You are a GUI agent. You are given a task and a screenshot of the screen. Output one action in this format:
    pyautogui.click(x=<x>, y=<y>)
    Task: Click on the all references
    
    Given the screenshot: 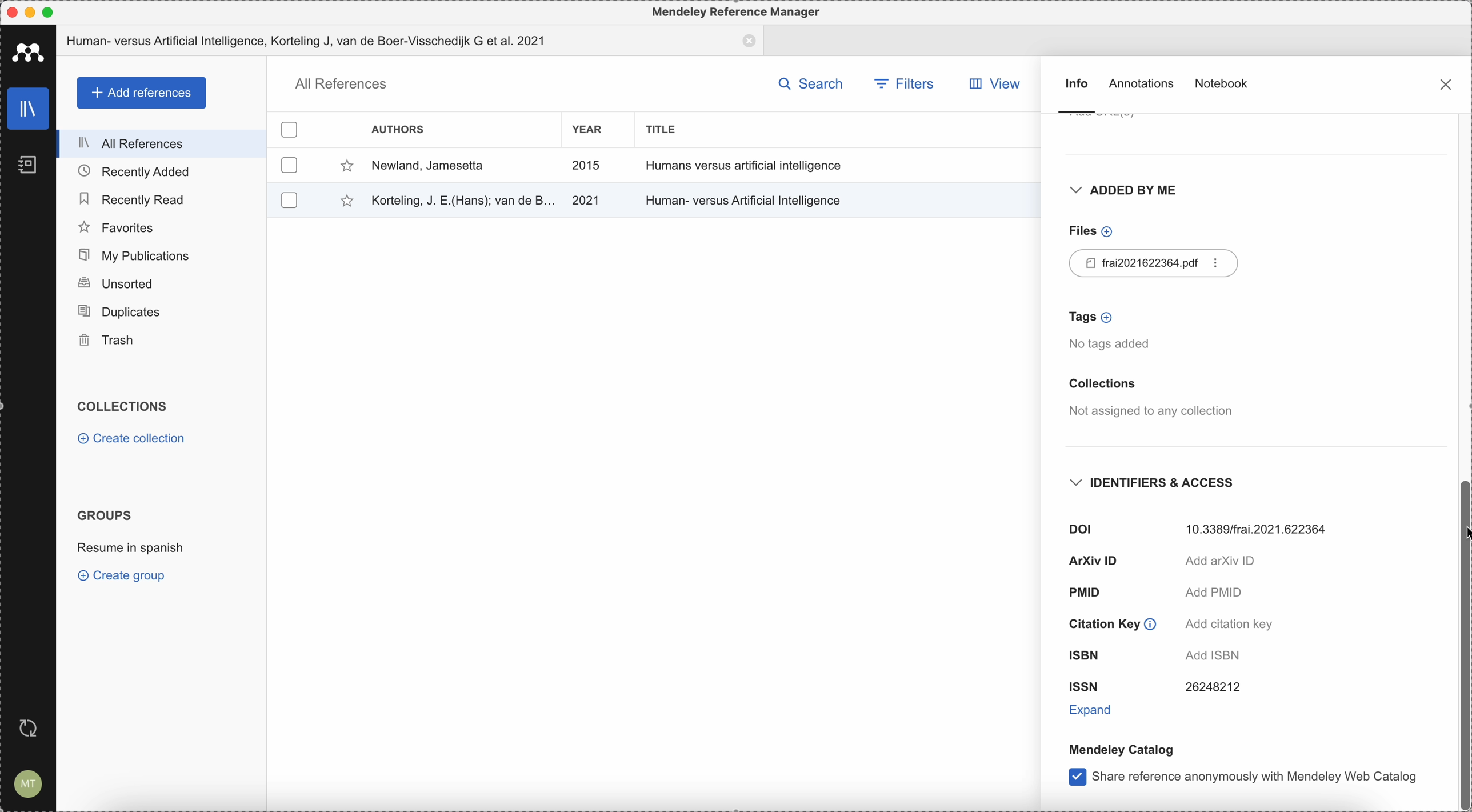 What is the action you would take?
    pyautogui.click(x=339, y=84)
    